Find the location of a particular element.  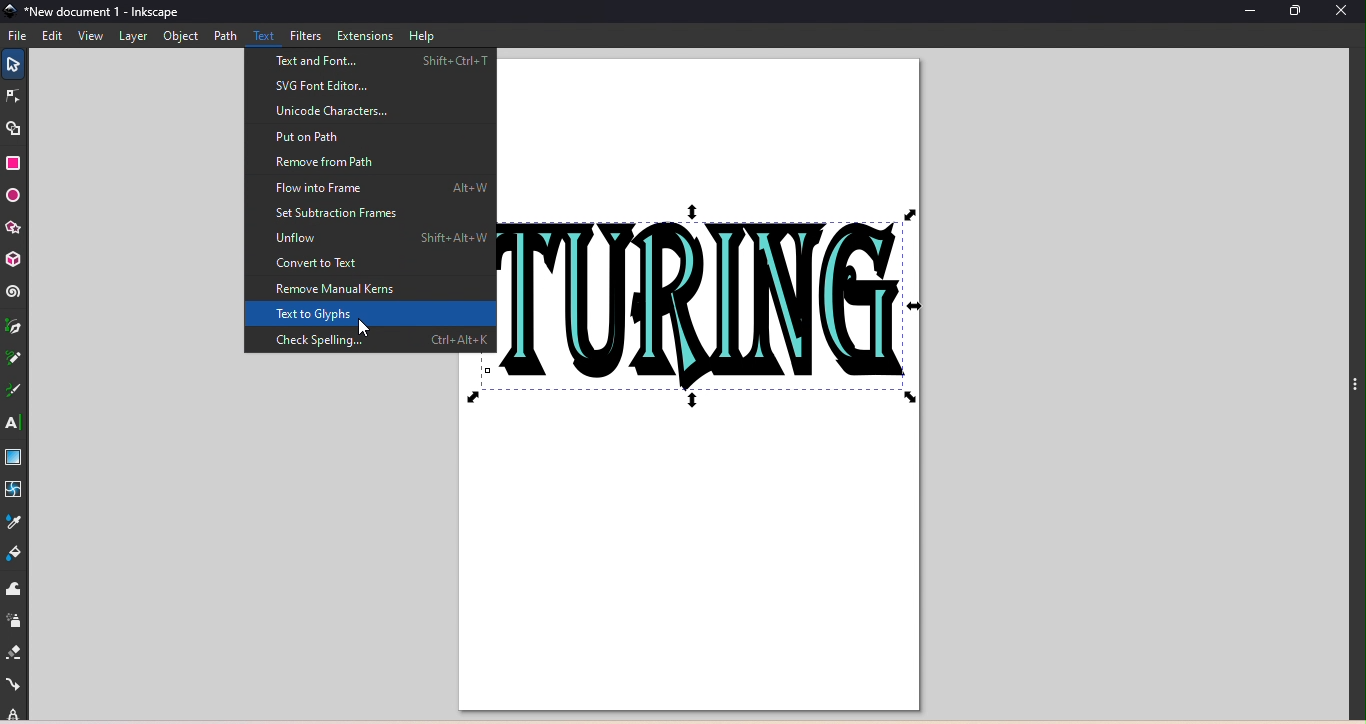

Unflow is located at coordinates (372, 238).